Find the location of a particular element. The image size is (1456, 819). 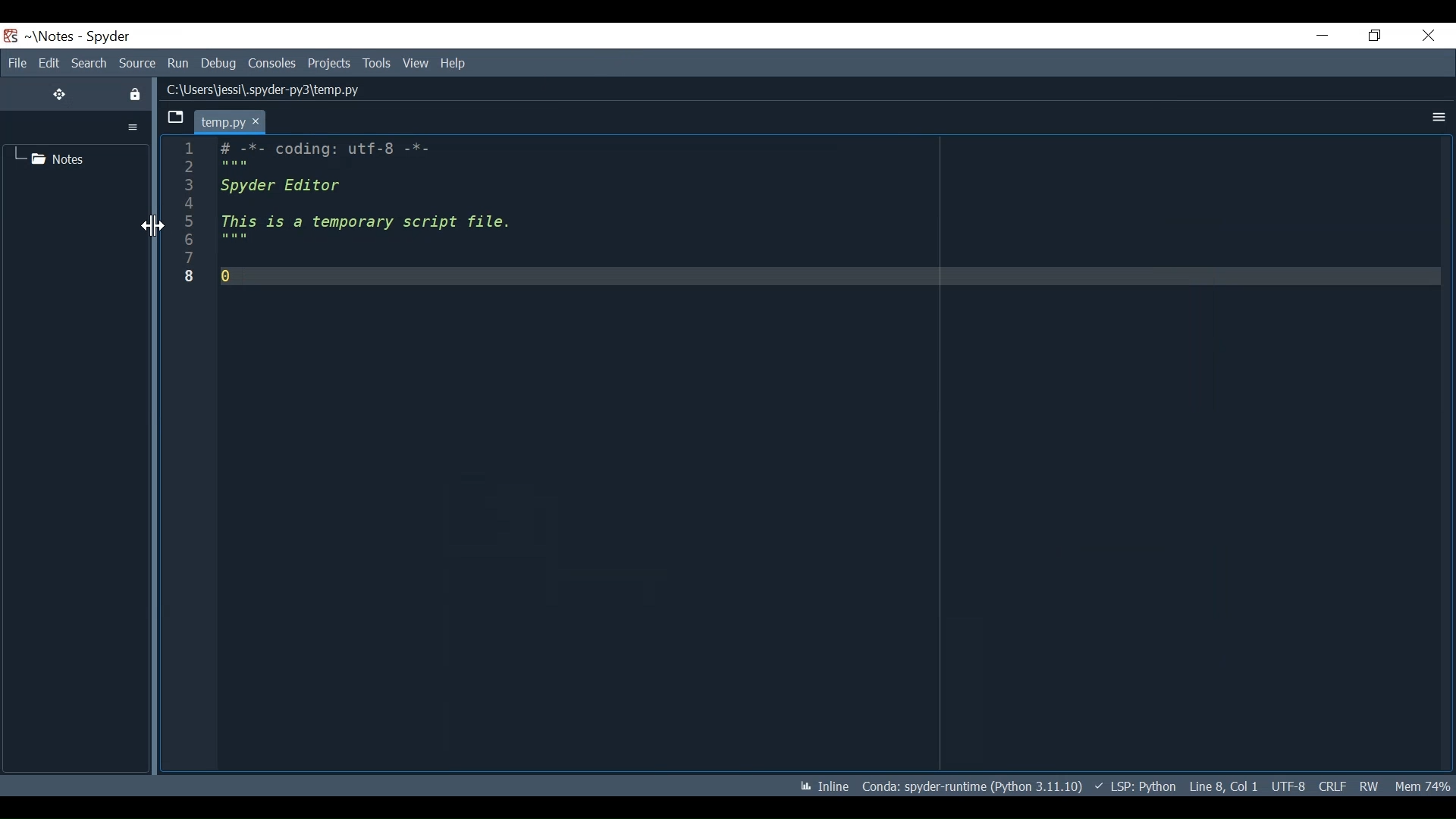

Lock is located at coordinates (134, 93).